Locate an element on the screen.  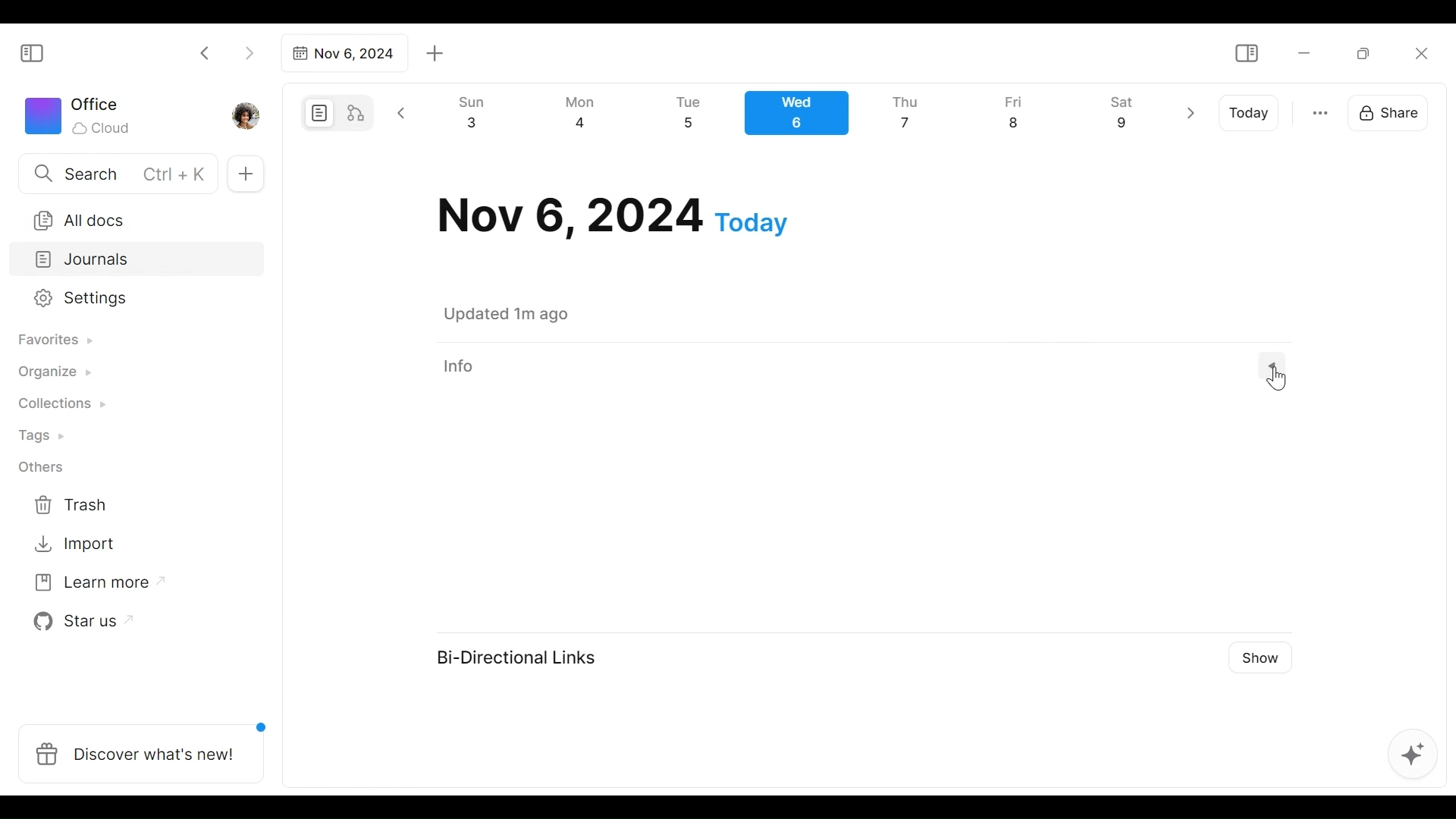
Saved is located at coordinates (525, 314).